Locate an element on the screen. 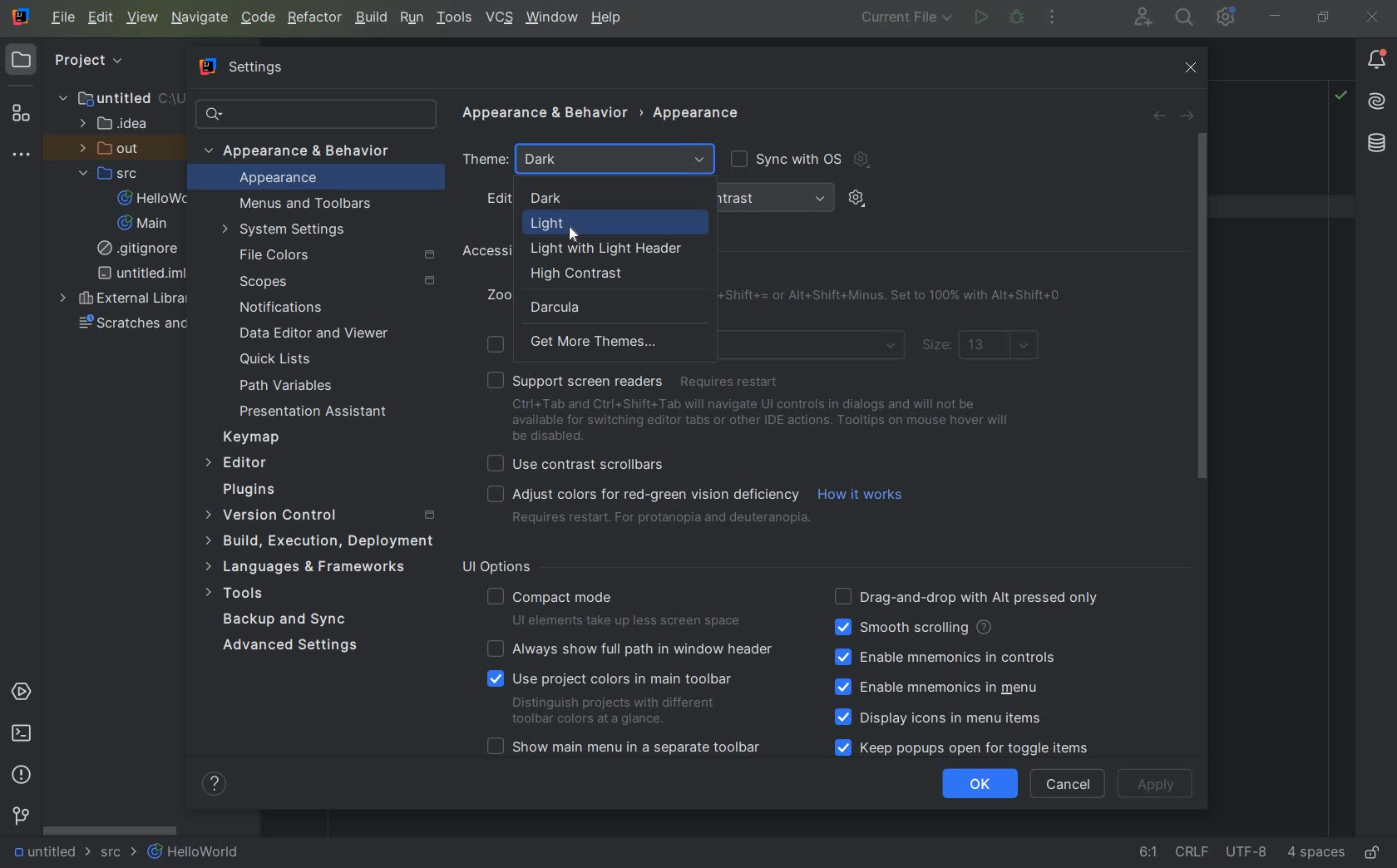  Pointer is located at coordinates (585, 234).